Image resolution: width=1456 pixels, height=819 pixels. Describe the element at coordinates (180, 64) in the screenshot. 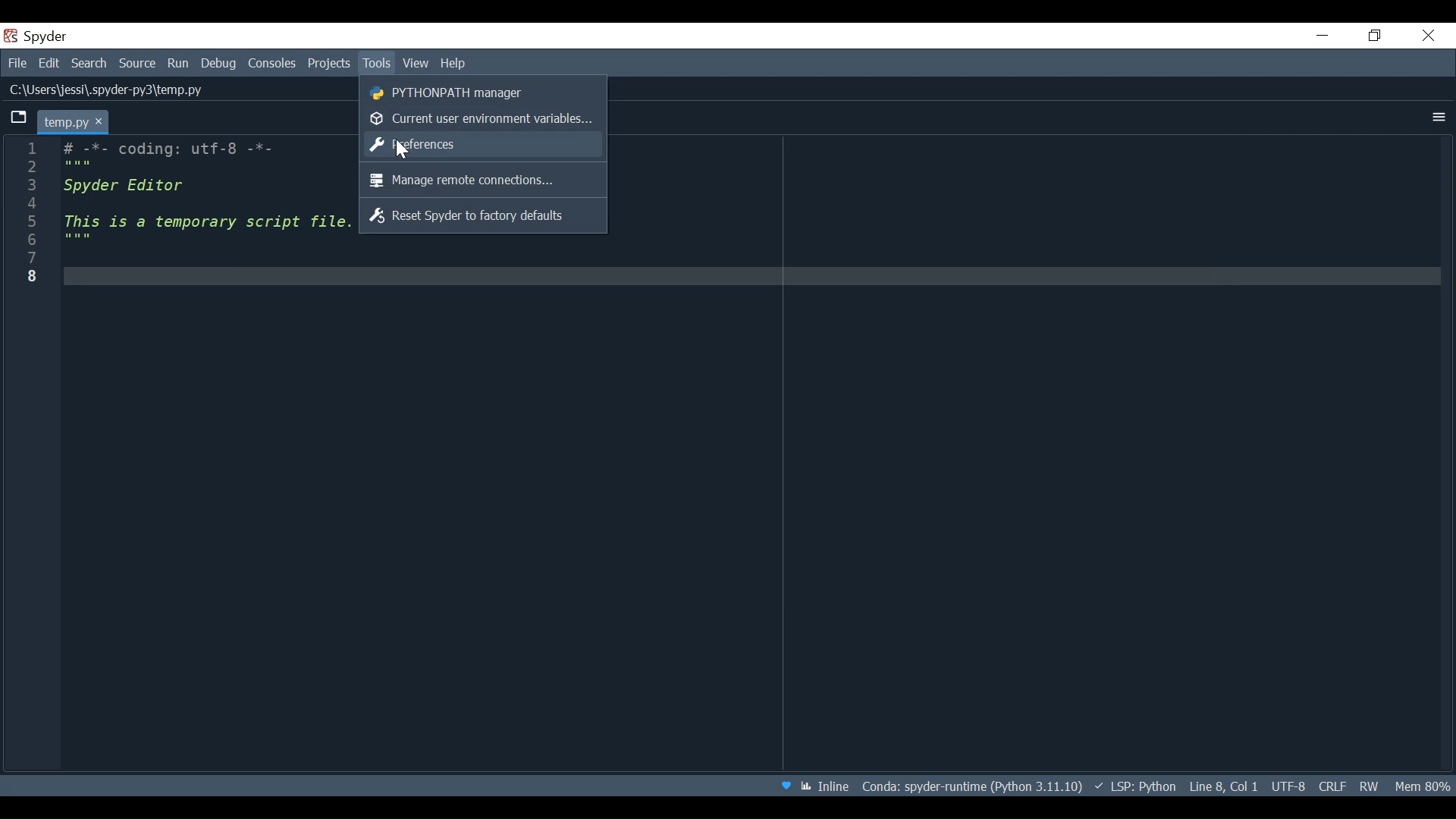

I see `Run` at that location.